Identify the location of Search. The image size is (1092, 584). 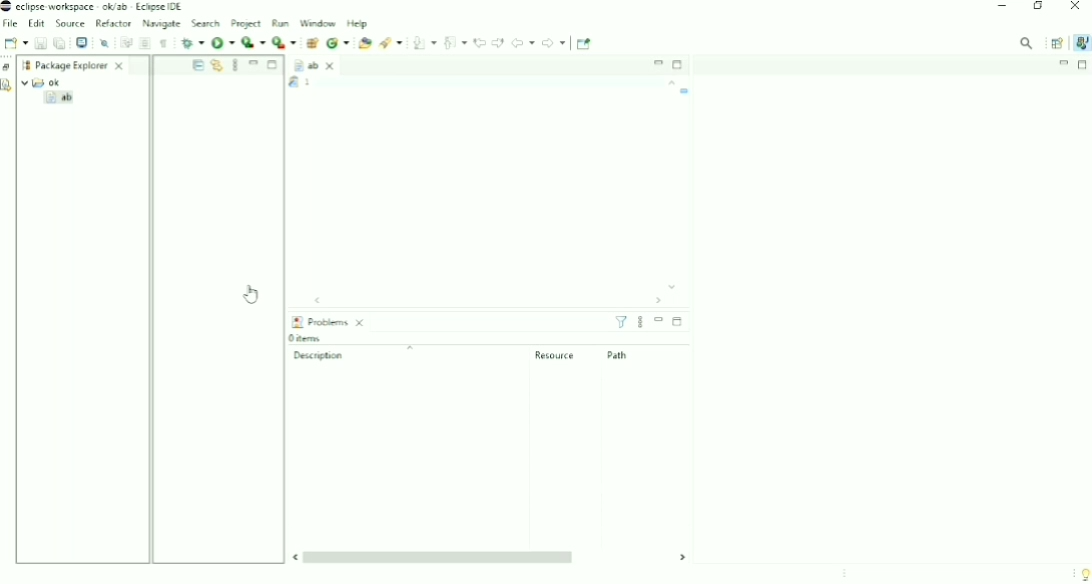
(390, 42).